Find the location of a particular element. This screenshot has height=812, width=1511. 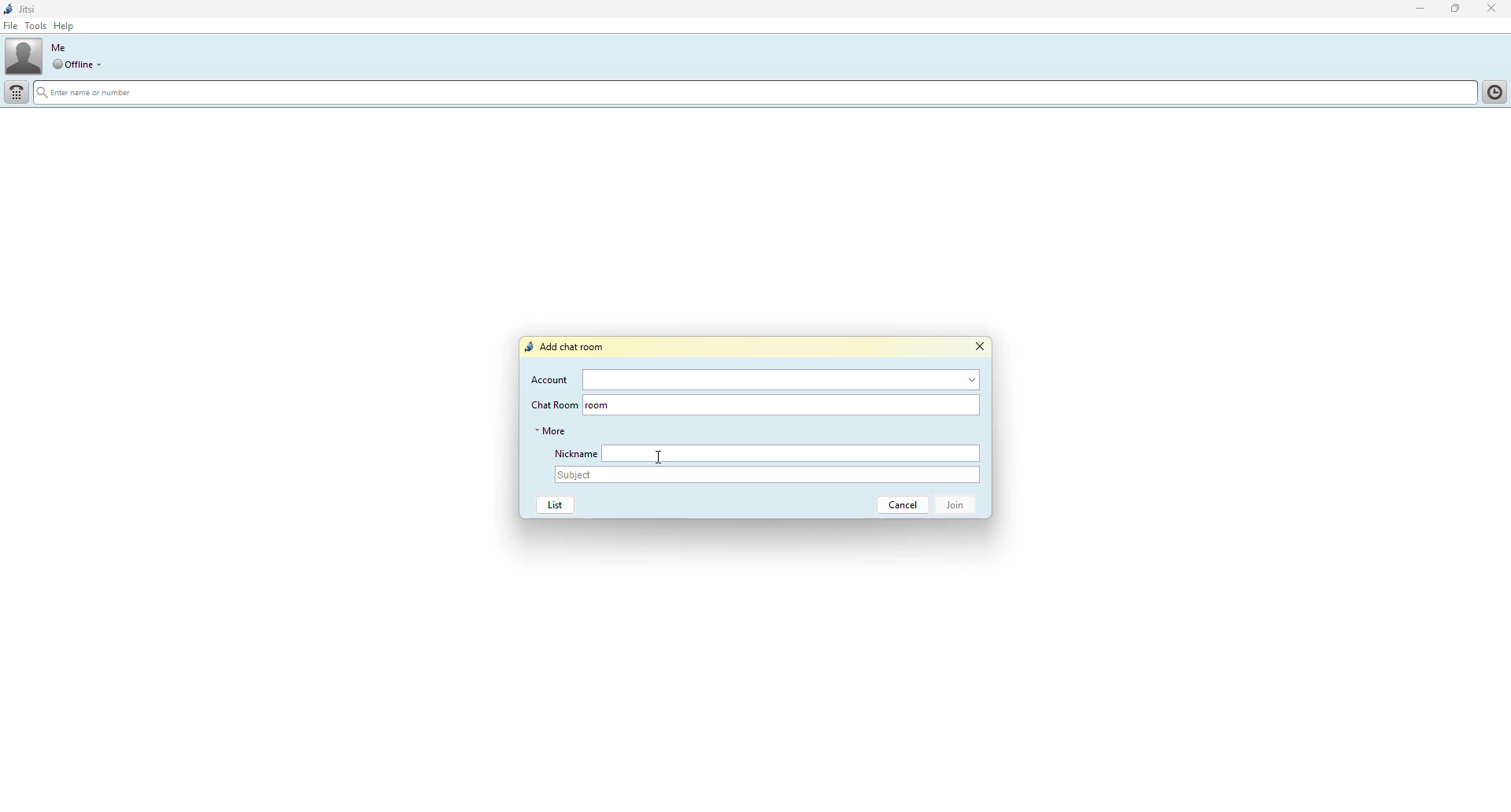

nickname is located at coordinates (573, 453).